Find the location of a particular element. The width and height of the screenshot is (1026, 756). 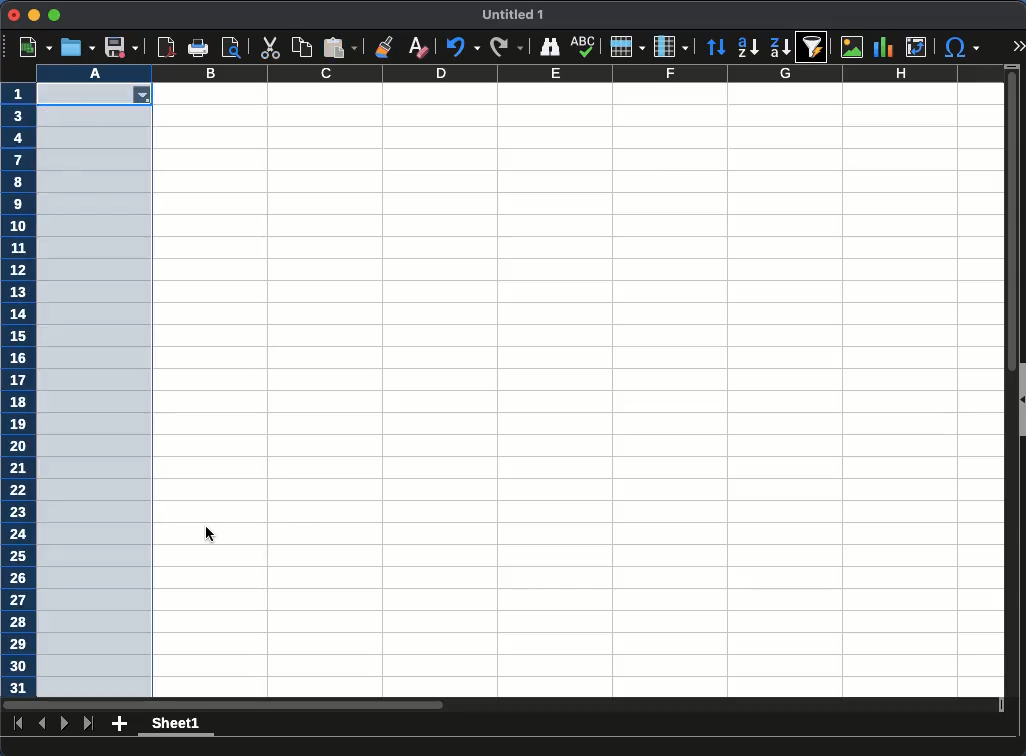

collapse is located at coordinates (1020, 400).